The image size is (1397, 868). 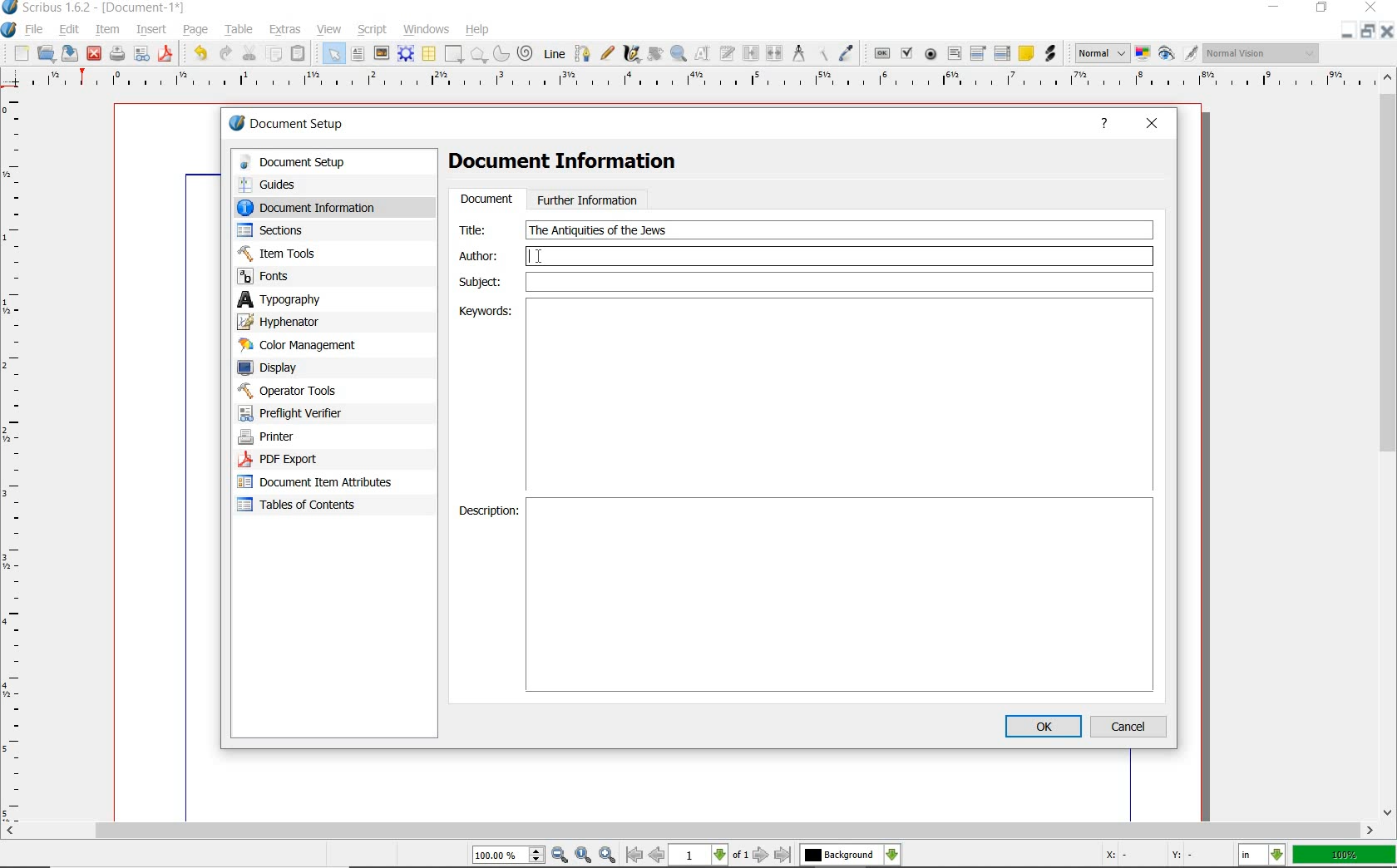 I want to click on minimize, so click(x=1272, y=7).